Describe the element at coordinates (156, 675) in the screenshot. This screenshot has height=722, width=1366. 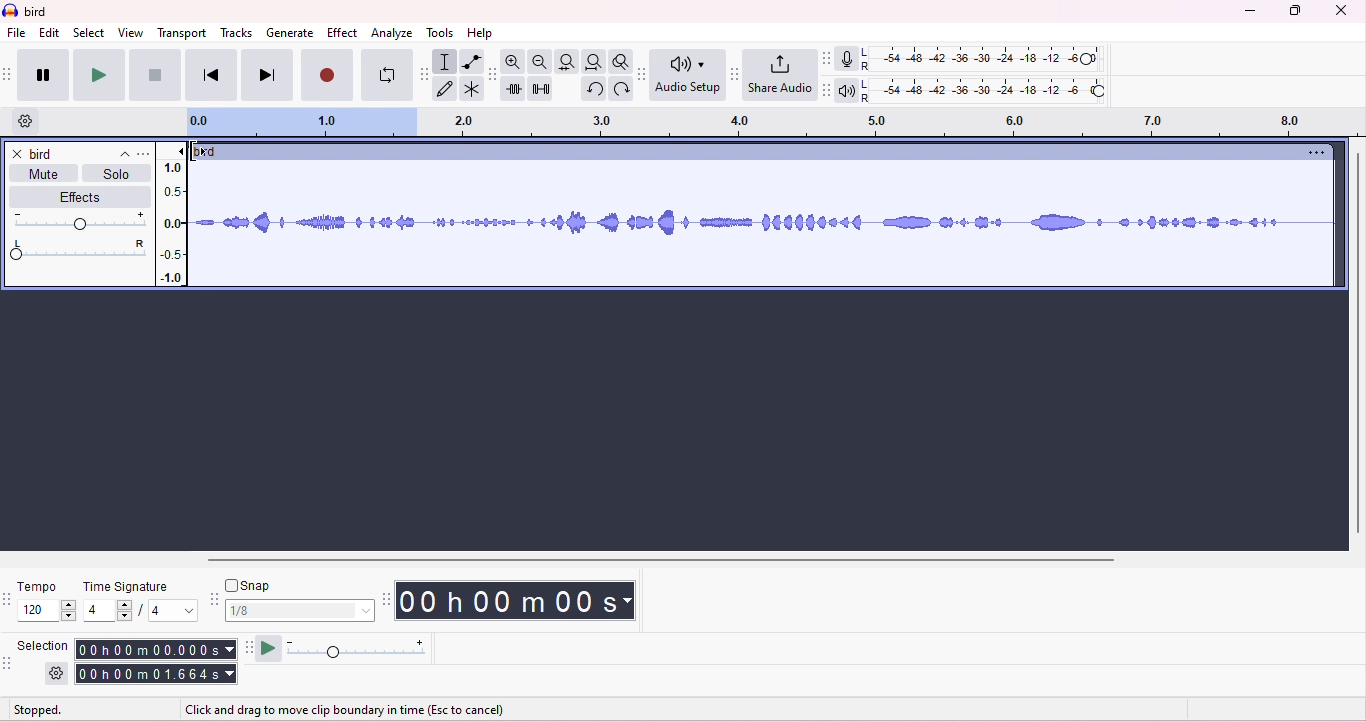
I see `total time` at that location.